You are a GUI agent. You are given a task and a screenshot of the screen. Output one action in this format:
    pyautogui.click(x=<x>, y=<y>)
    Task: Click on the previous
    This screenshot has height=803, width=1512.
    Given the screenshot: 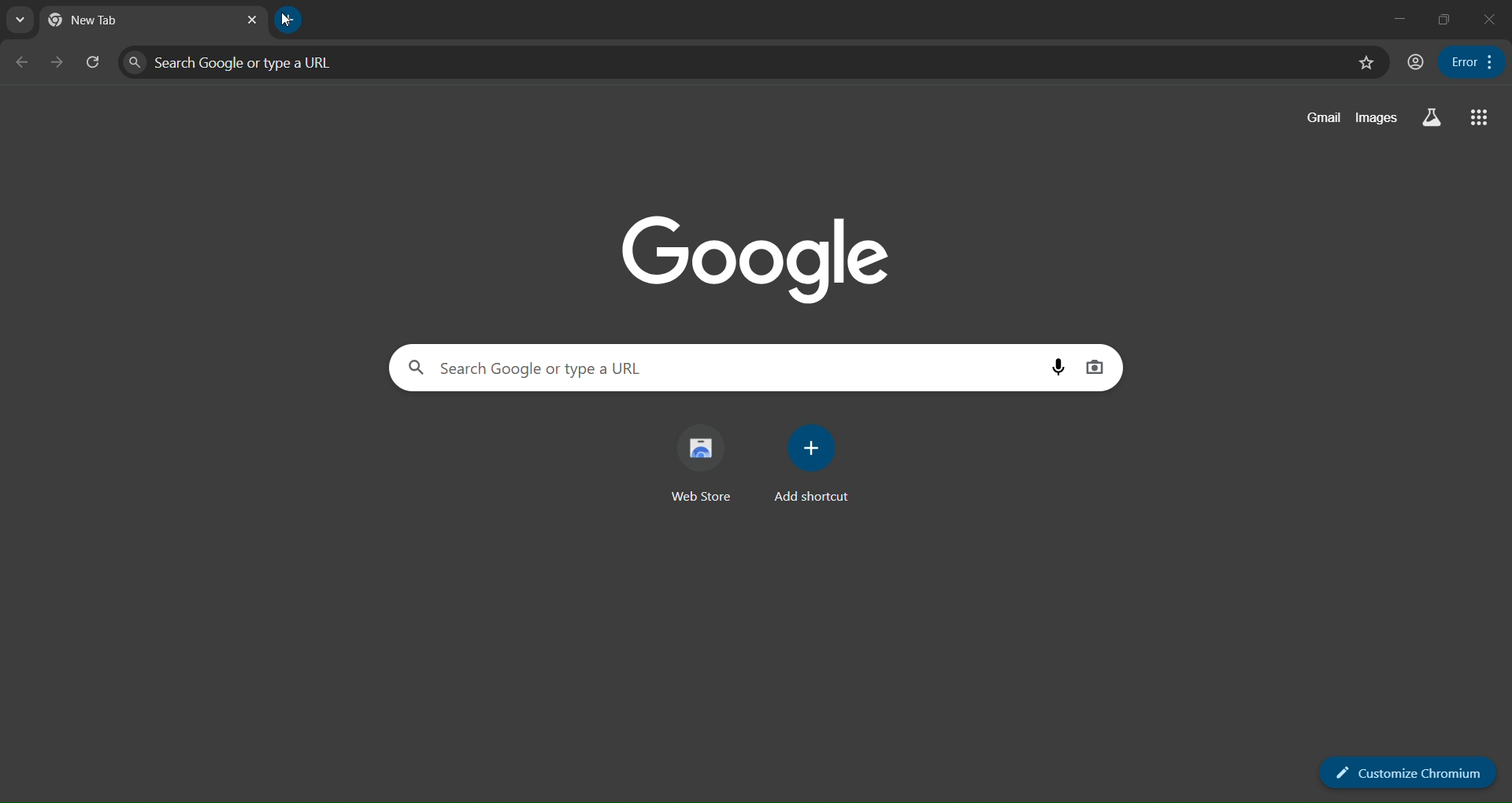 What is the action you would take?
    pyautogui.click(x=22, y=63)
    